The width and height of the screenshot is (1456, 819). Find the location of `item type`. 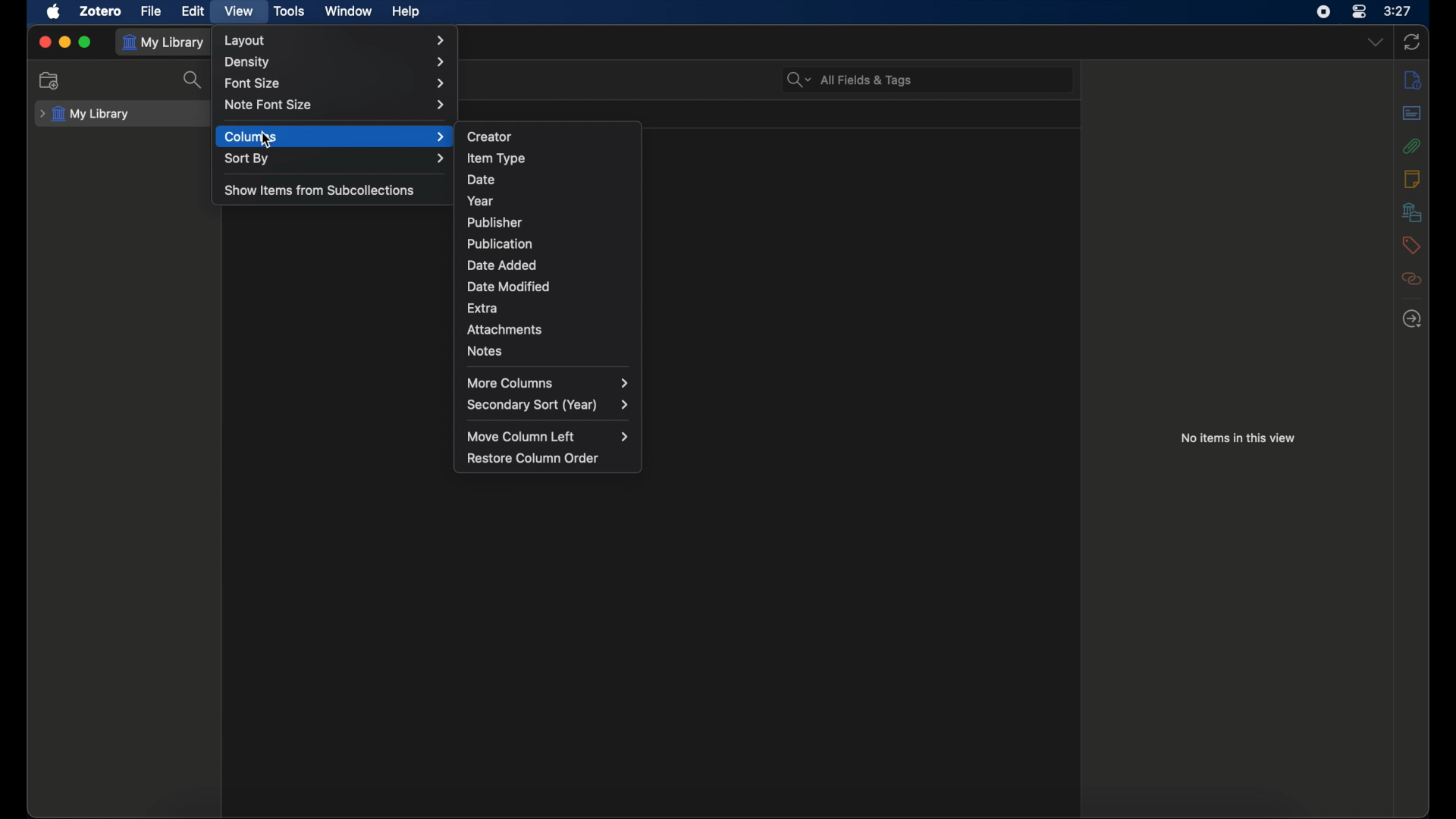

item type is located at coordinates (496, 159).